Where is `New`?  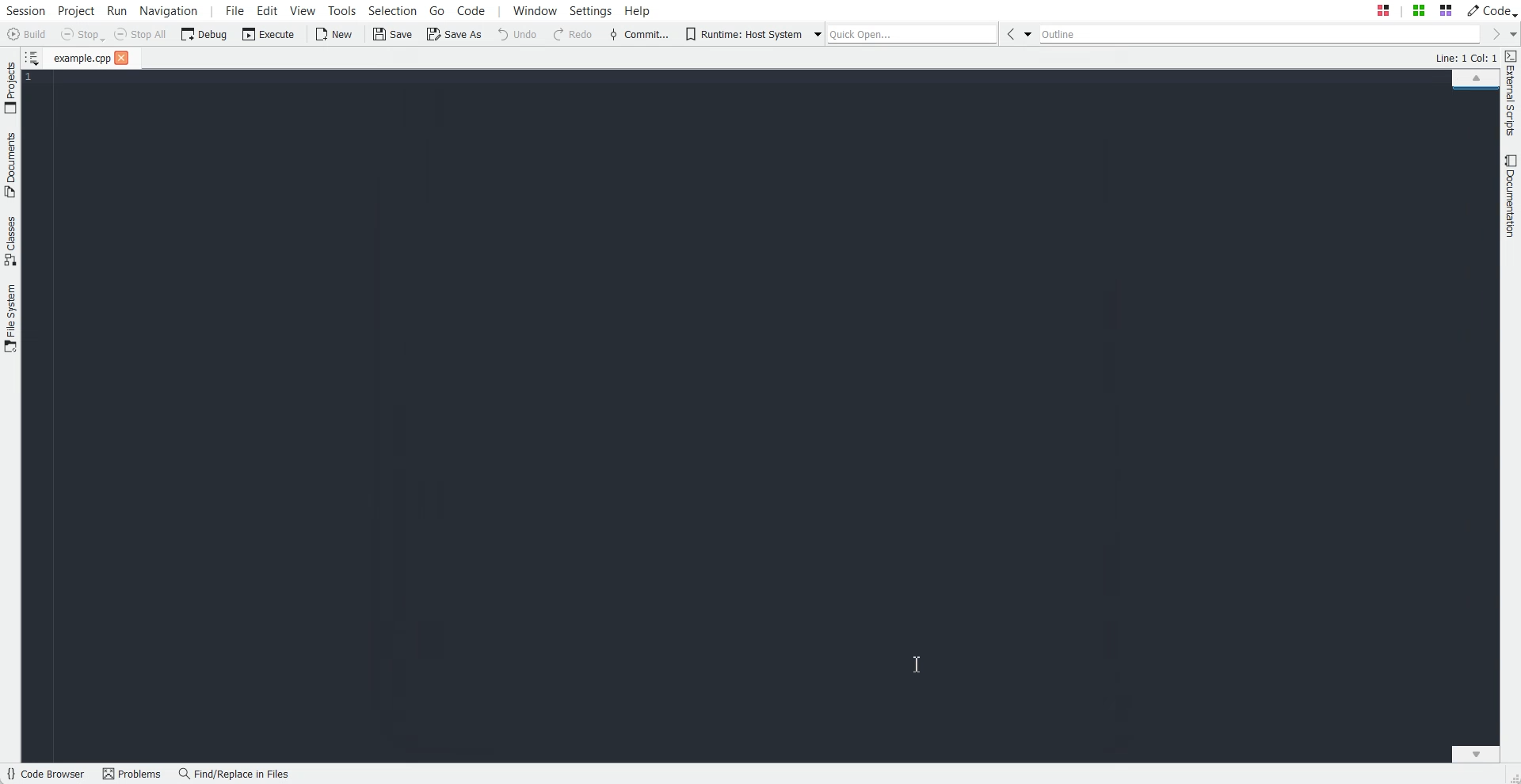
New is located at coordinates (337, 34).